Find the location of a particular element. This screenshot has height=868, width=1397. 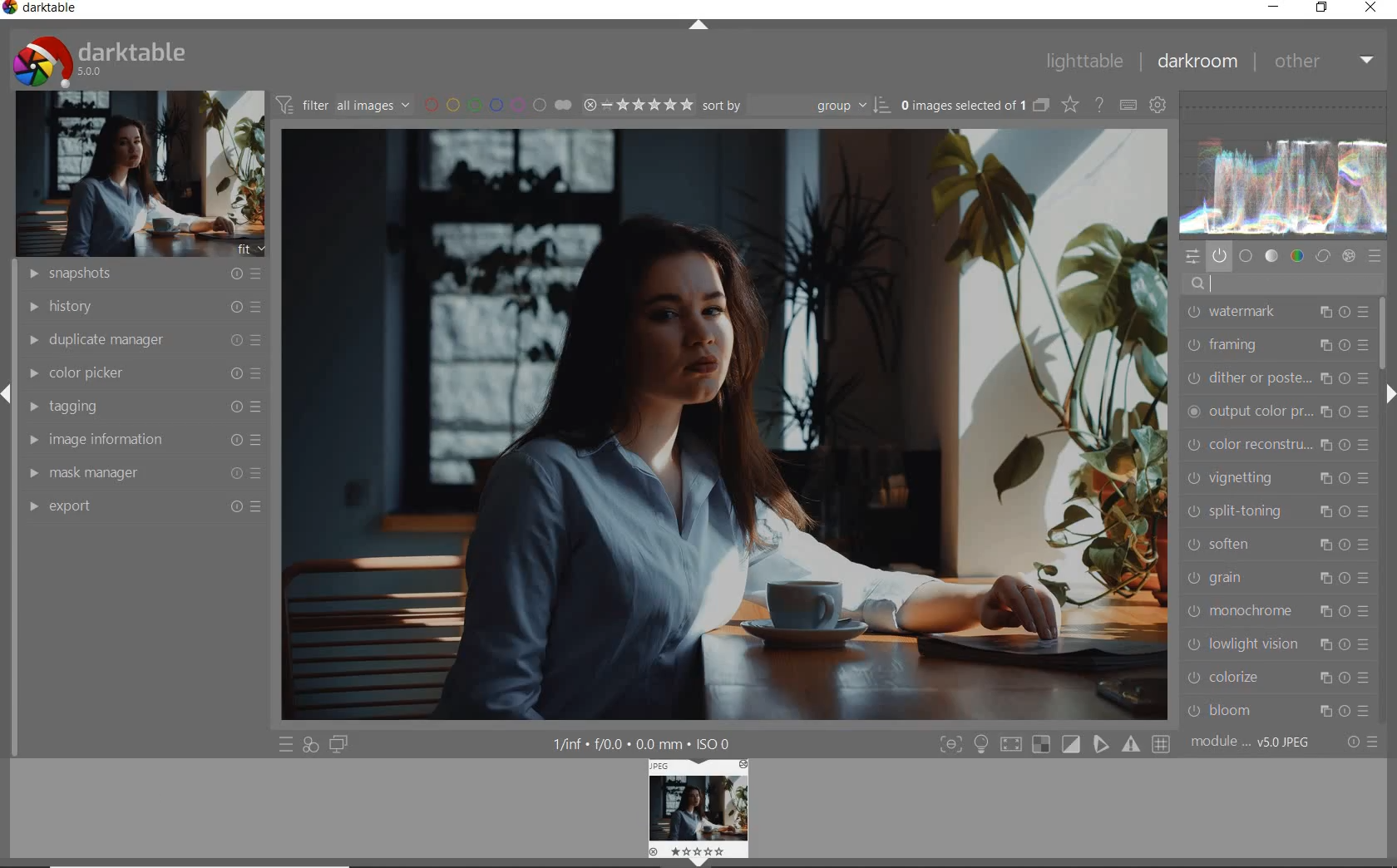

lighttable is located at coordinates (1084, 62).